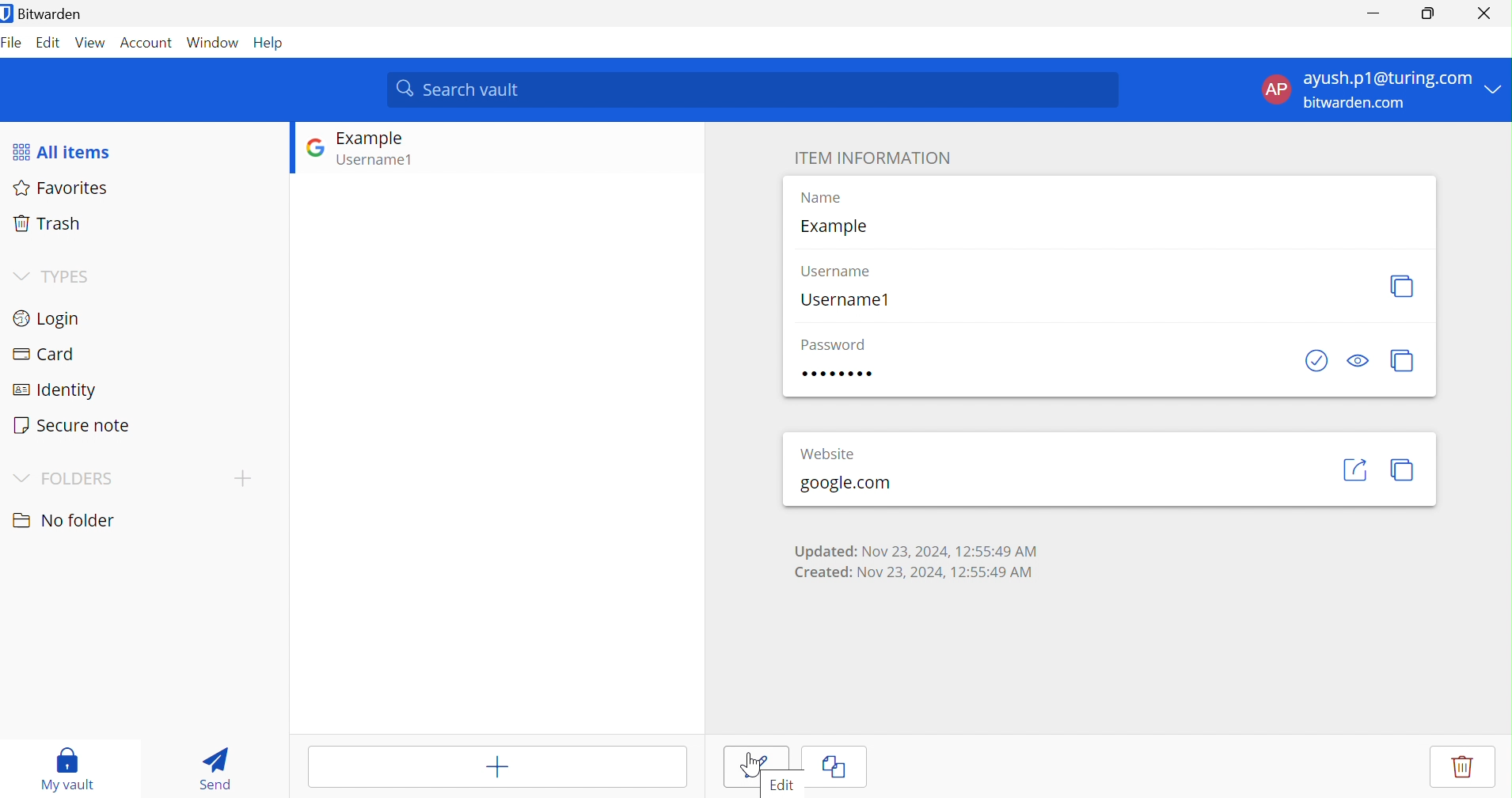 The image size is (1512, 798). Describe the element at coordinates (838, 270) in the screenshot. I see `Username` at that location.